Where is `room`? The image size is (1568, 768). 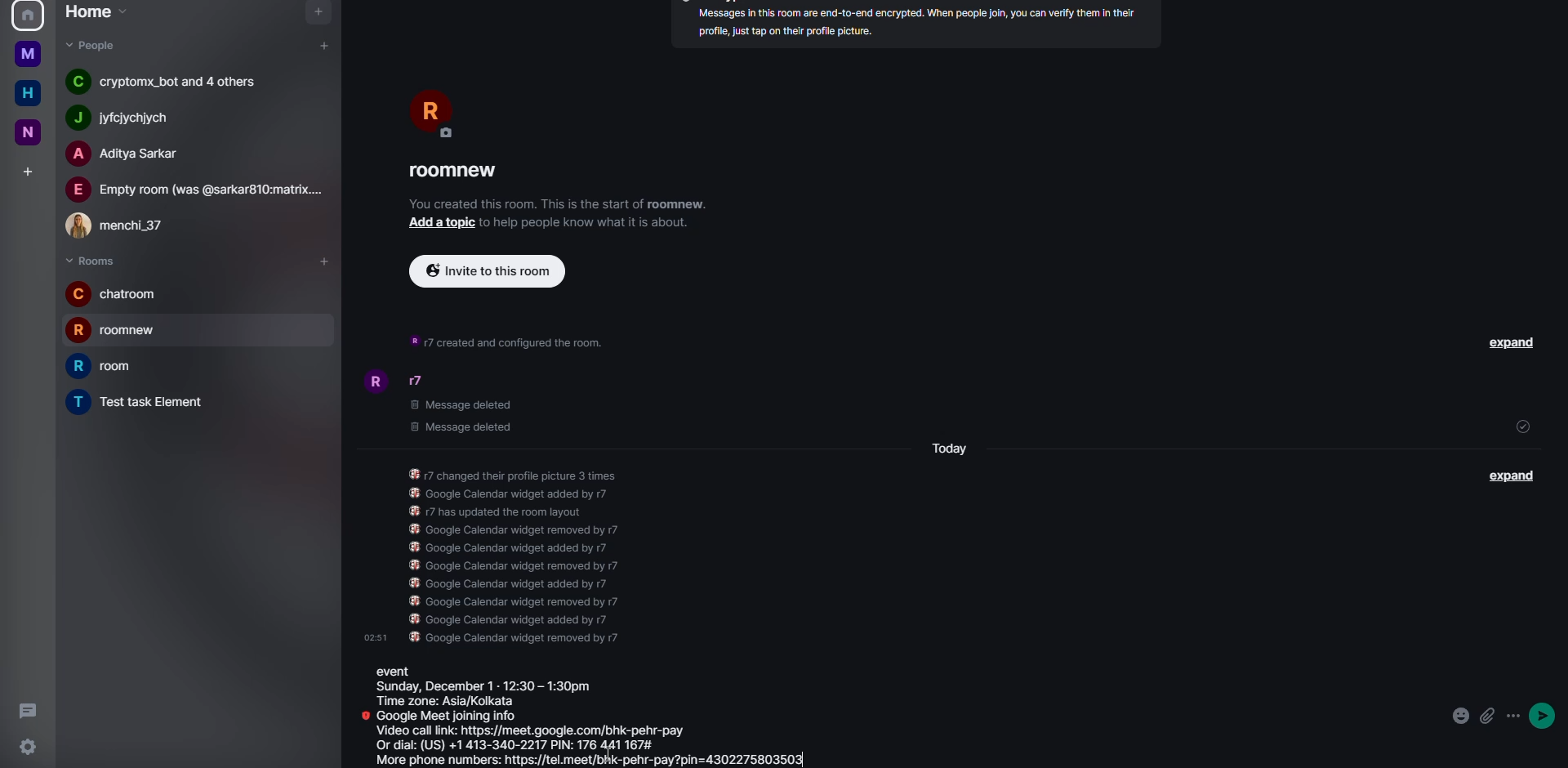 room is located at coordinates (116, 293).